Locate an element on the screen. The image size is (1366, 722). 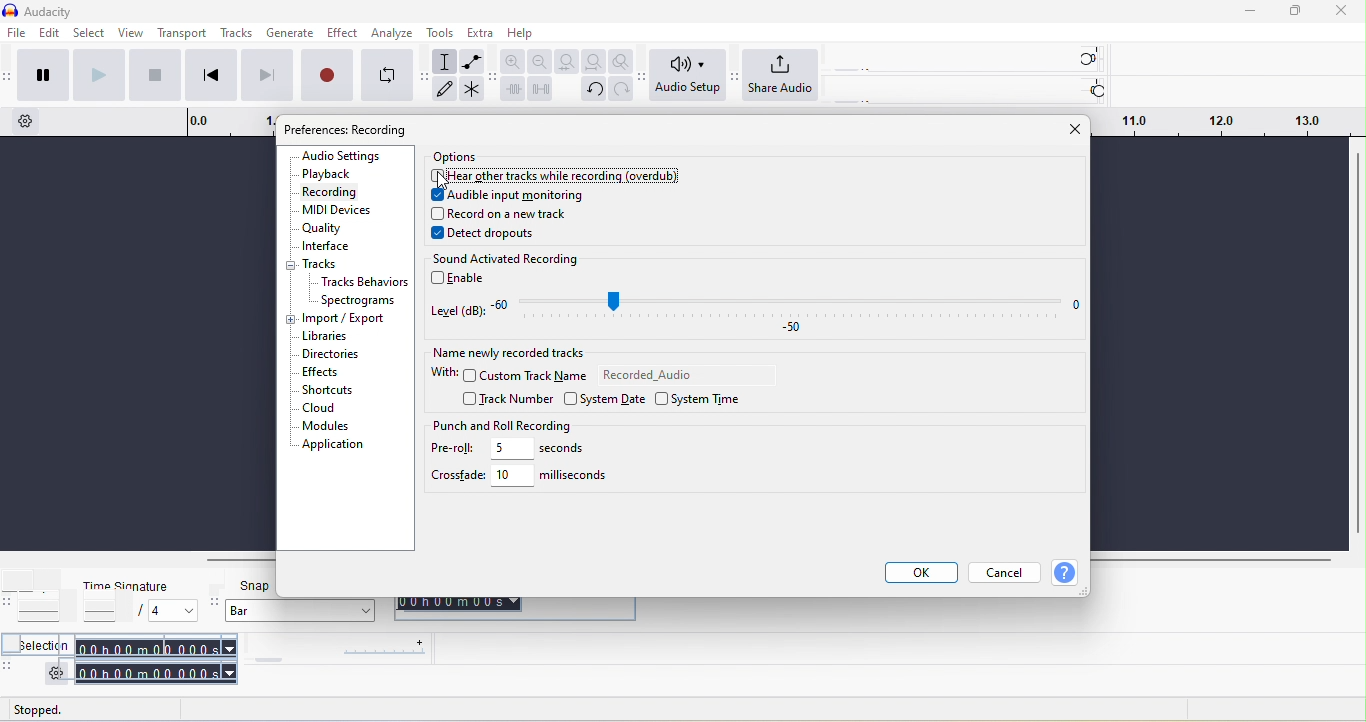
fit project to width is located at coordinates (595, 61).